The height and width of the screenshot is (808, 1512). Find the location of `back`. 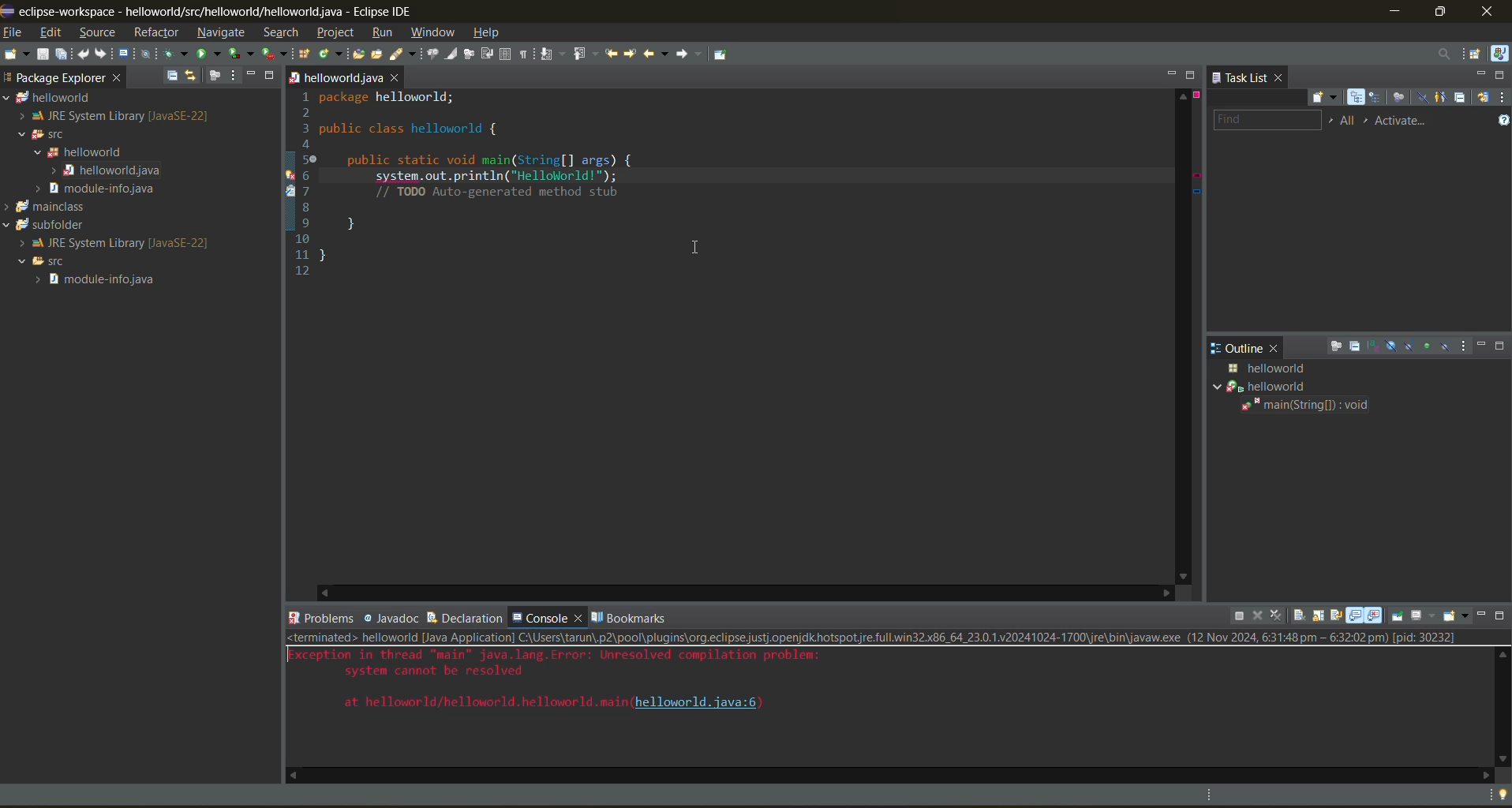

back is located at coordinates (657, 54).